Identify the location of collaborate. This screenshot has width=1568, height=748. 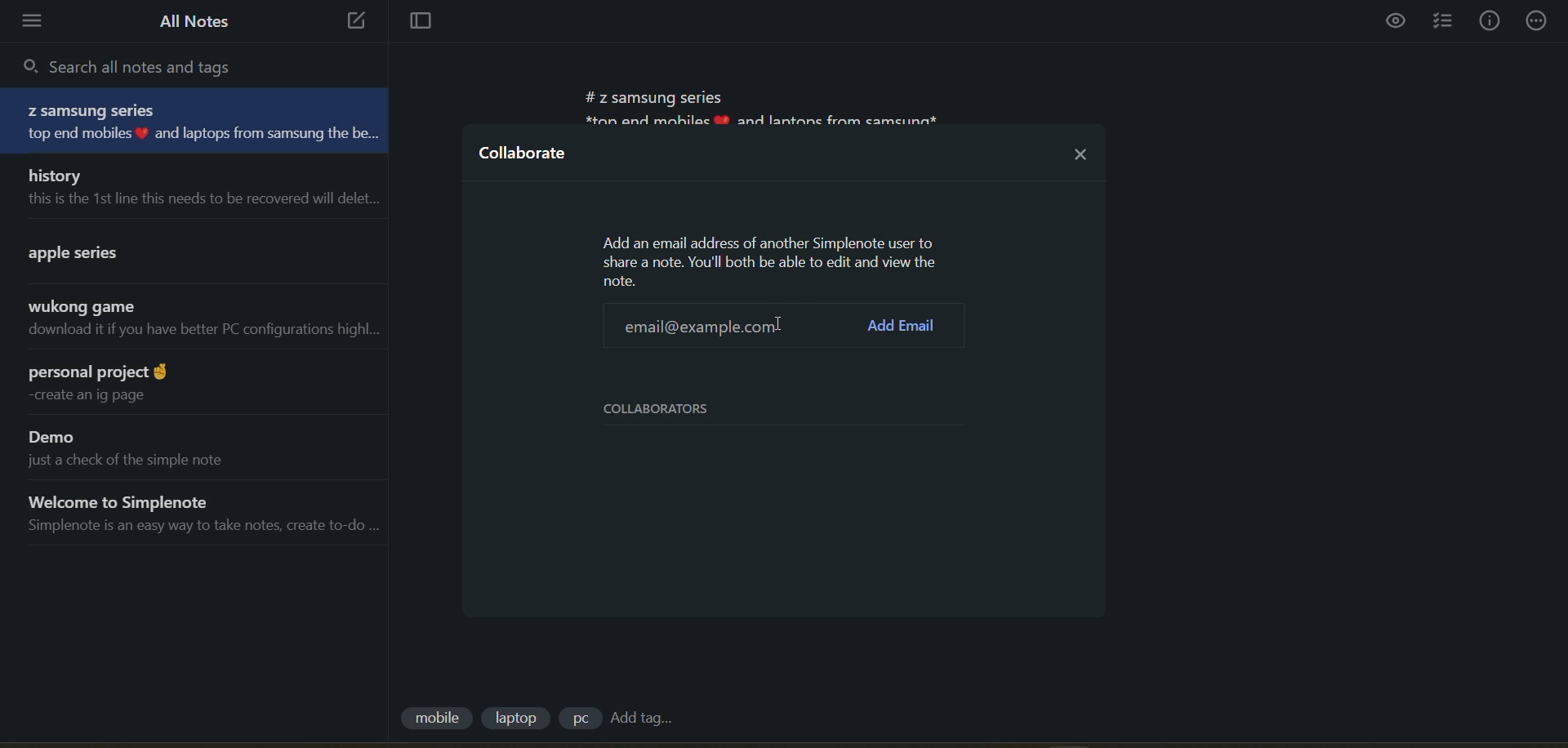
(525, 158).